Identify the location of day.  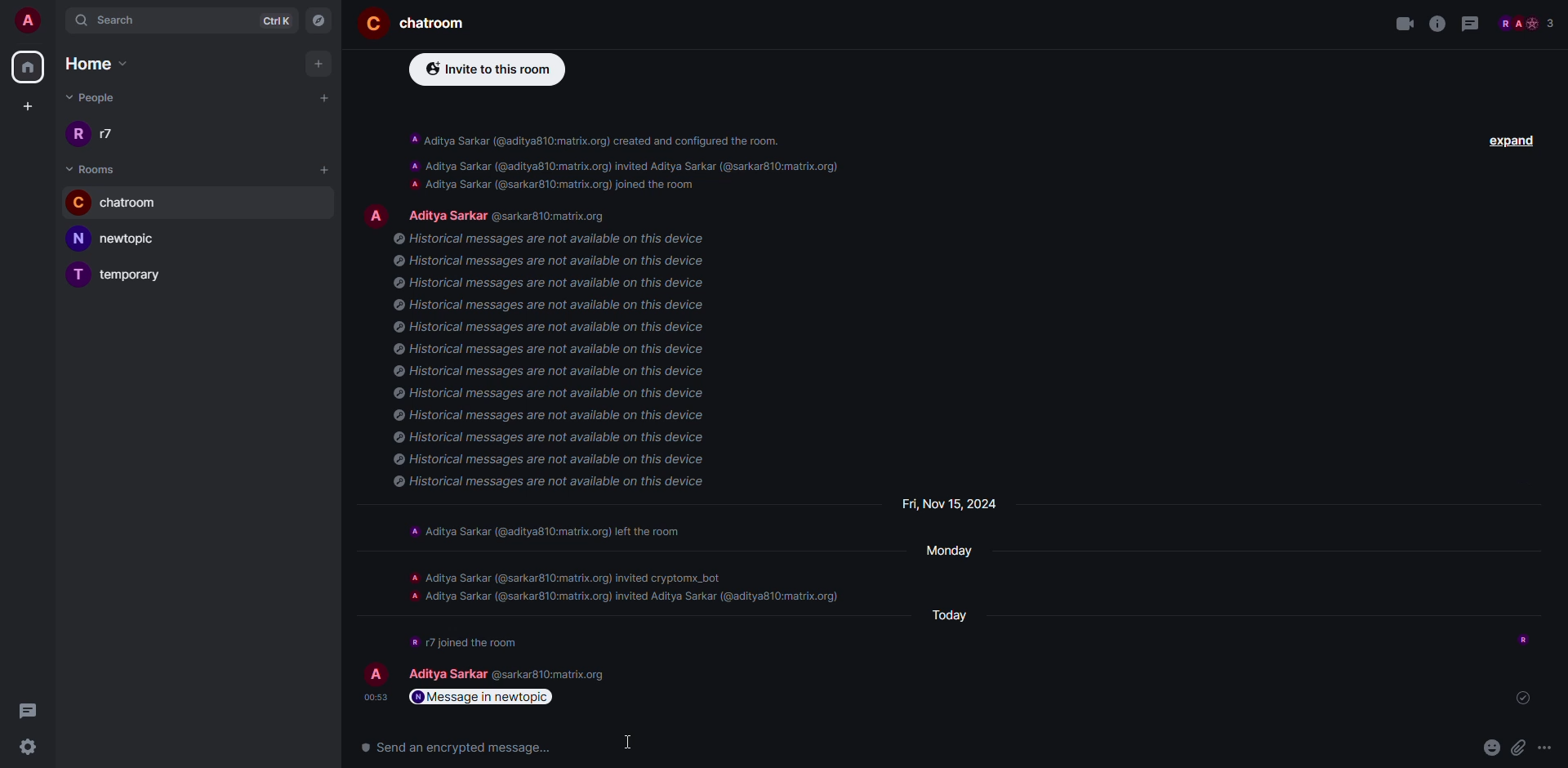
(952, 554).